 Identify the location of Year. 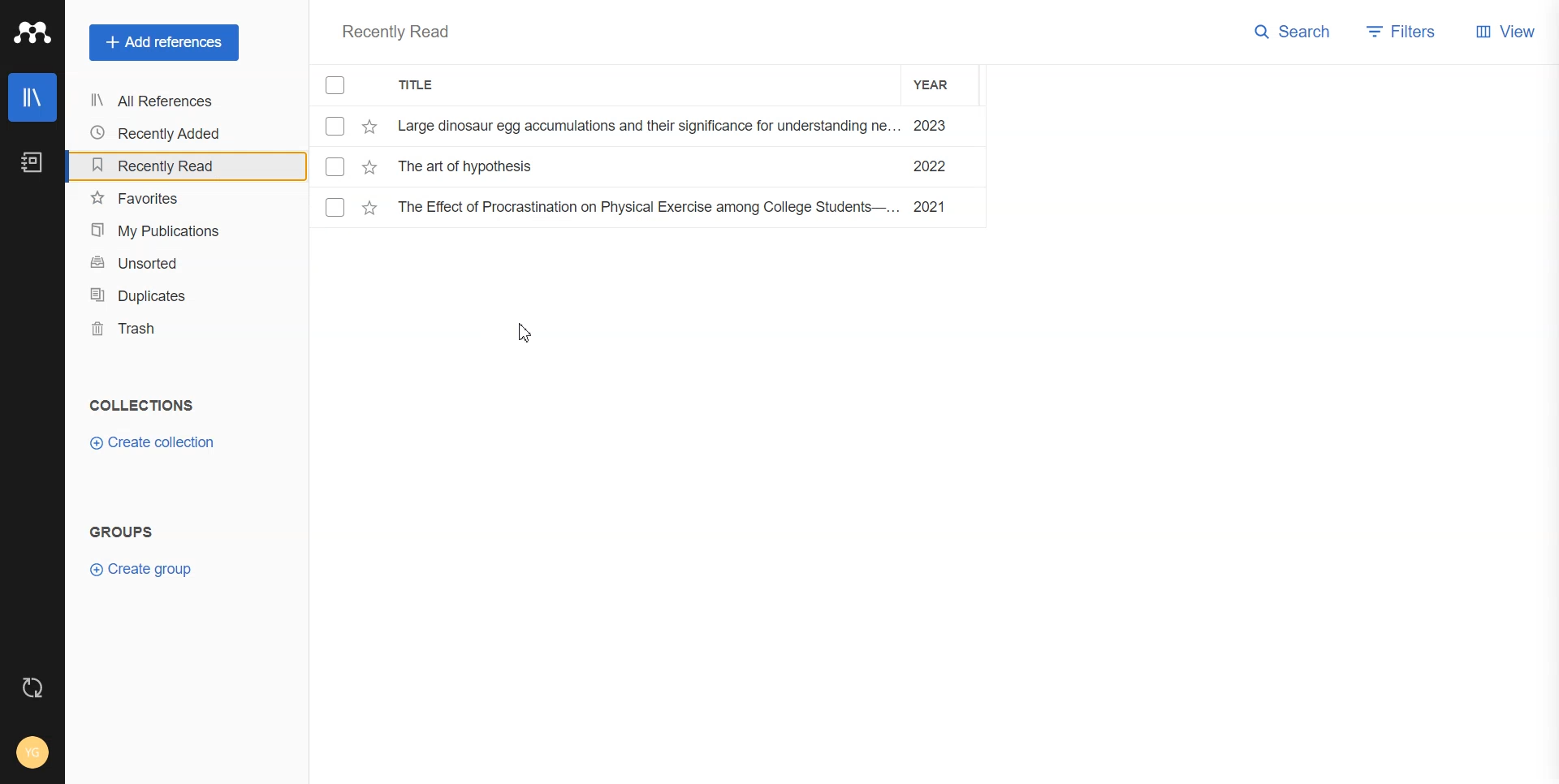
(942, 84).